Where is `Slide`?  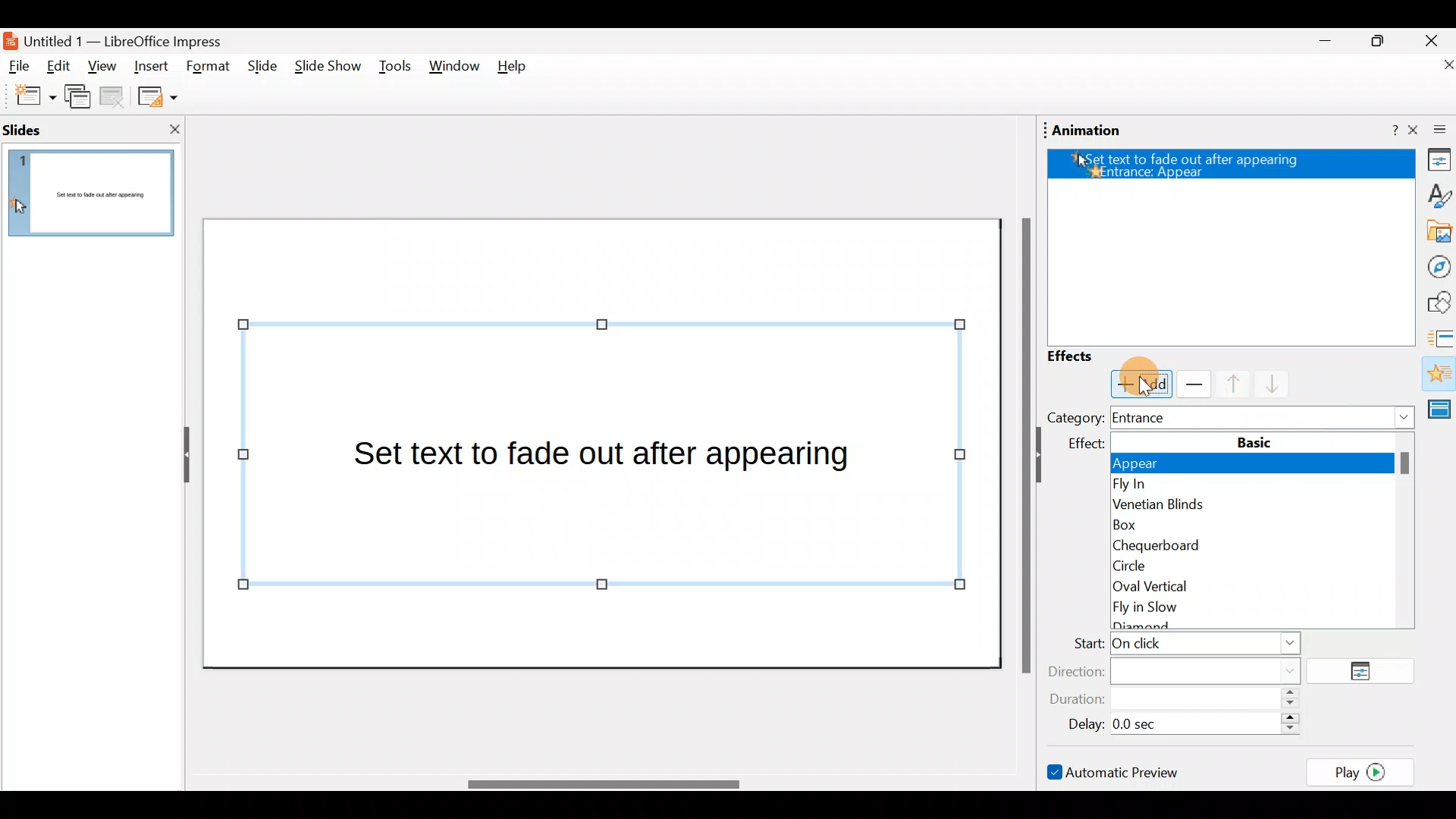 Slide is located at coordinates (259, 67).